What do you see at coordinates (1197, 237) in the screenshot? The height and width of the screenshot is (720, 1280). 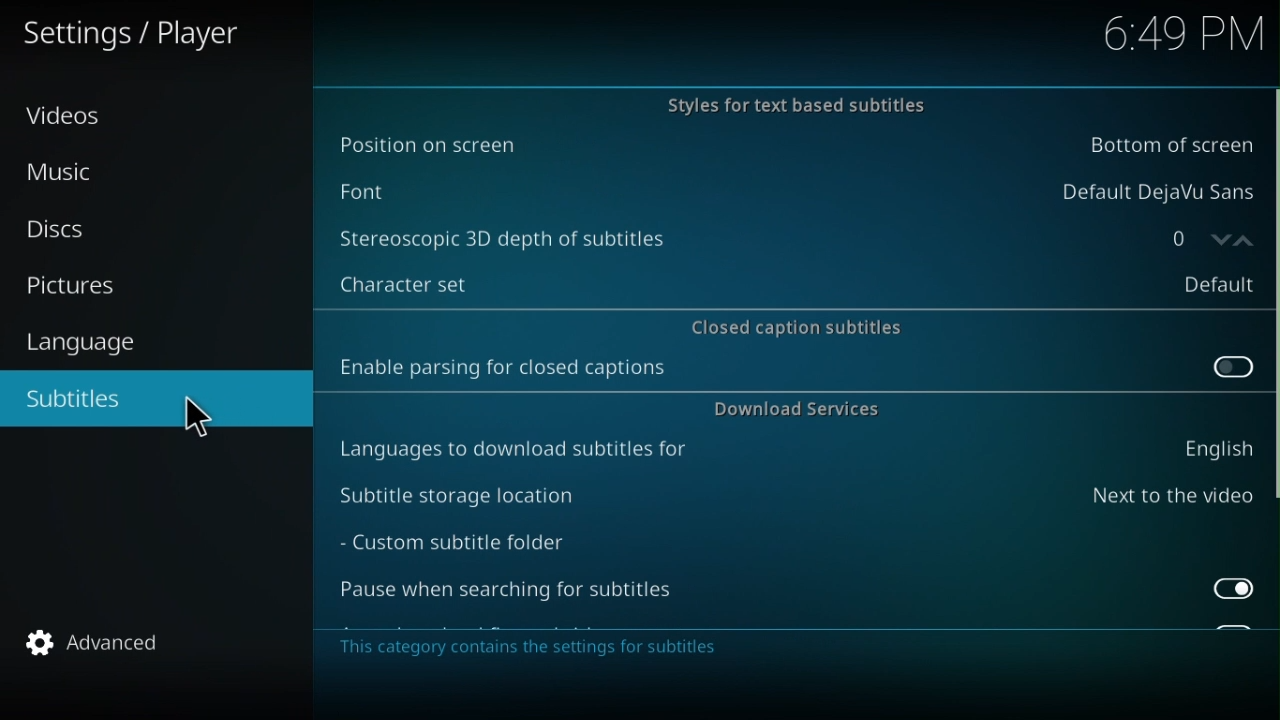 I see `number input` at bounding box center [1197, 237].